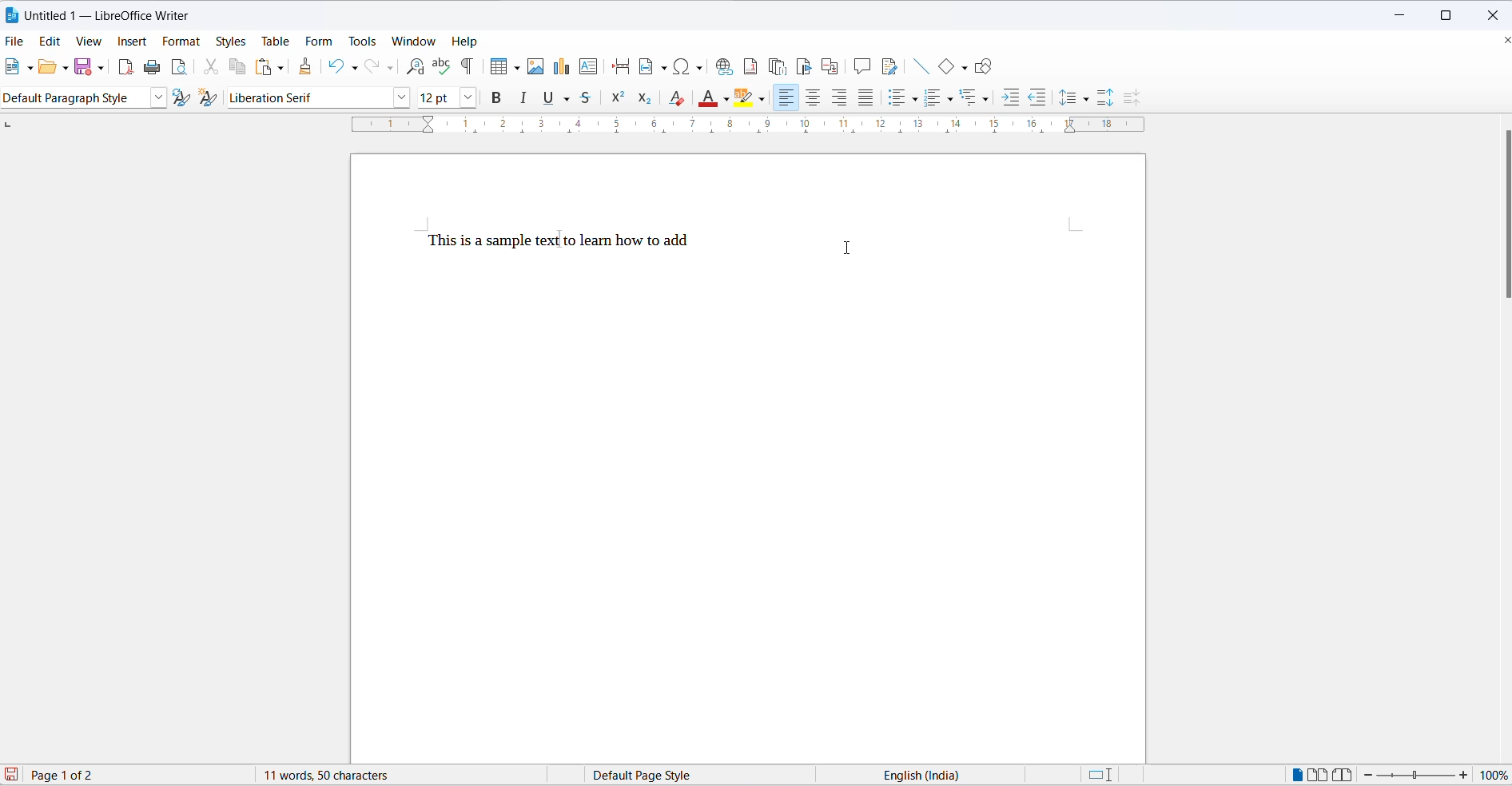 This screenshot has width=1512, height=786. Describe the element at coordinates (336, 67) in the screenshot. I see `undo` at that location.